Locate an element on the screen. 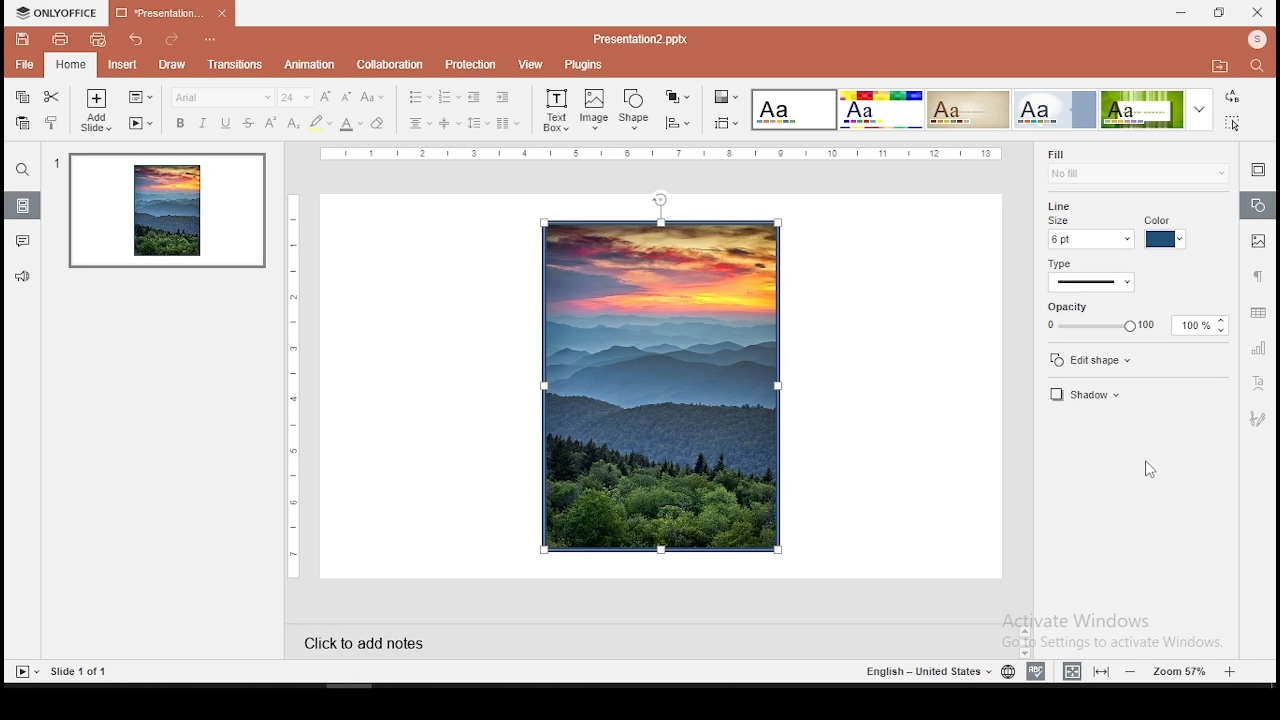 This screenshot has width=1280, height=720. replace is located at coordinates (1232, 97).